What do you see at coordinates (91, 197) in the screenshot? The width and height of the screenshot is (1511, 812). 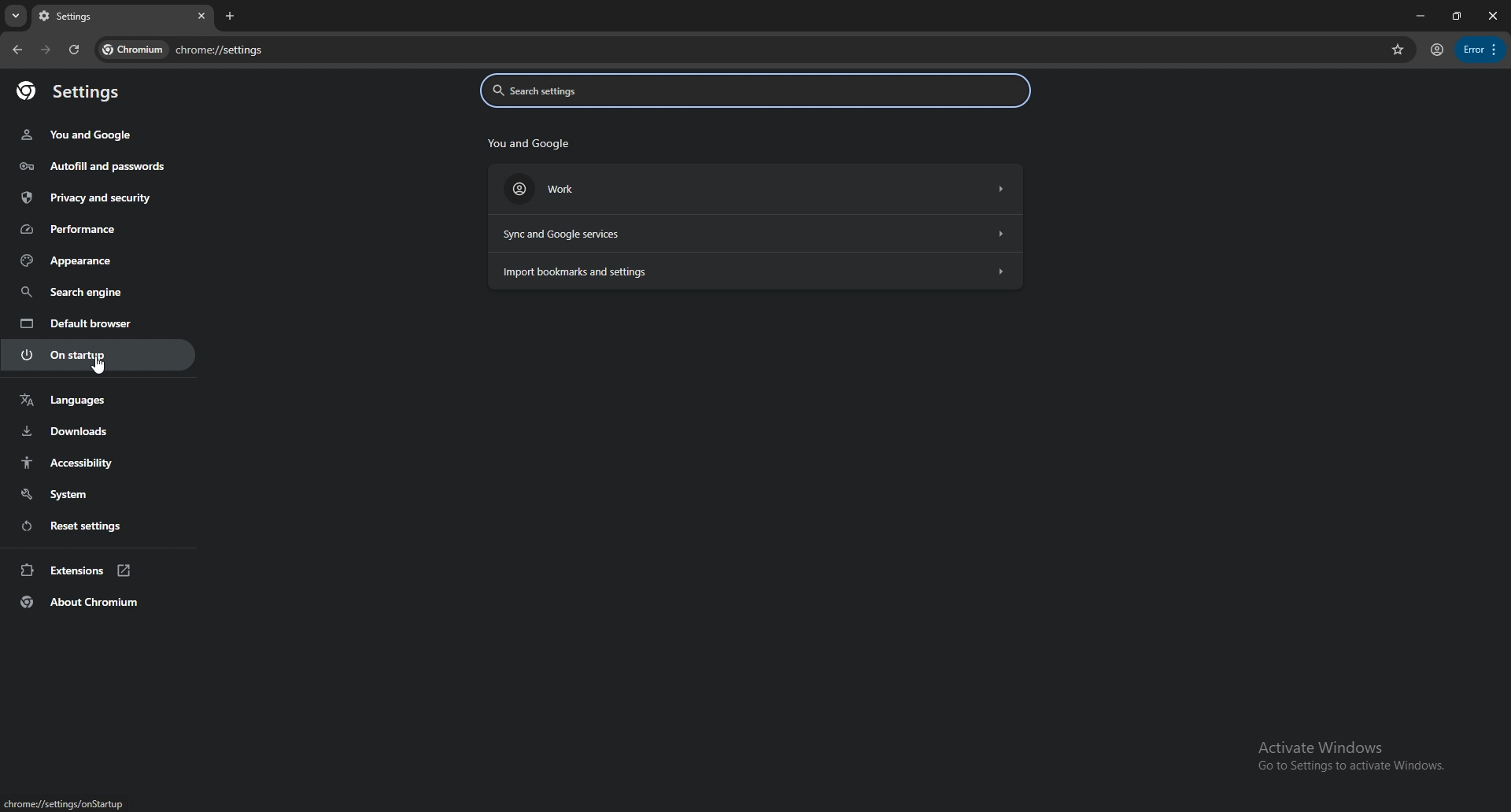 I see `privacy and security` at bounding box center [91, 197].